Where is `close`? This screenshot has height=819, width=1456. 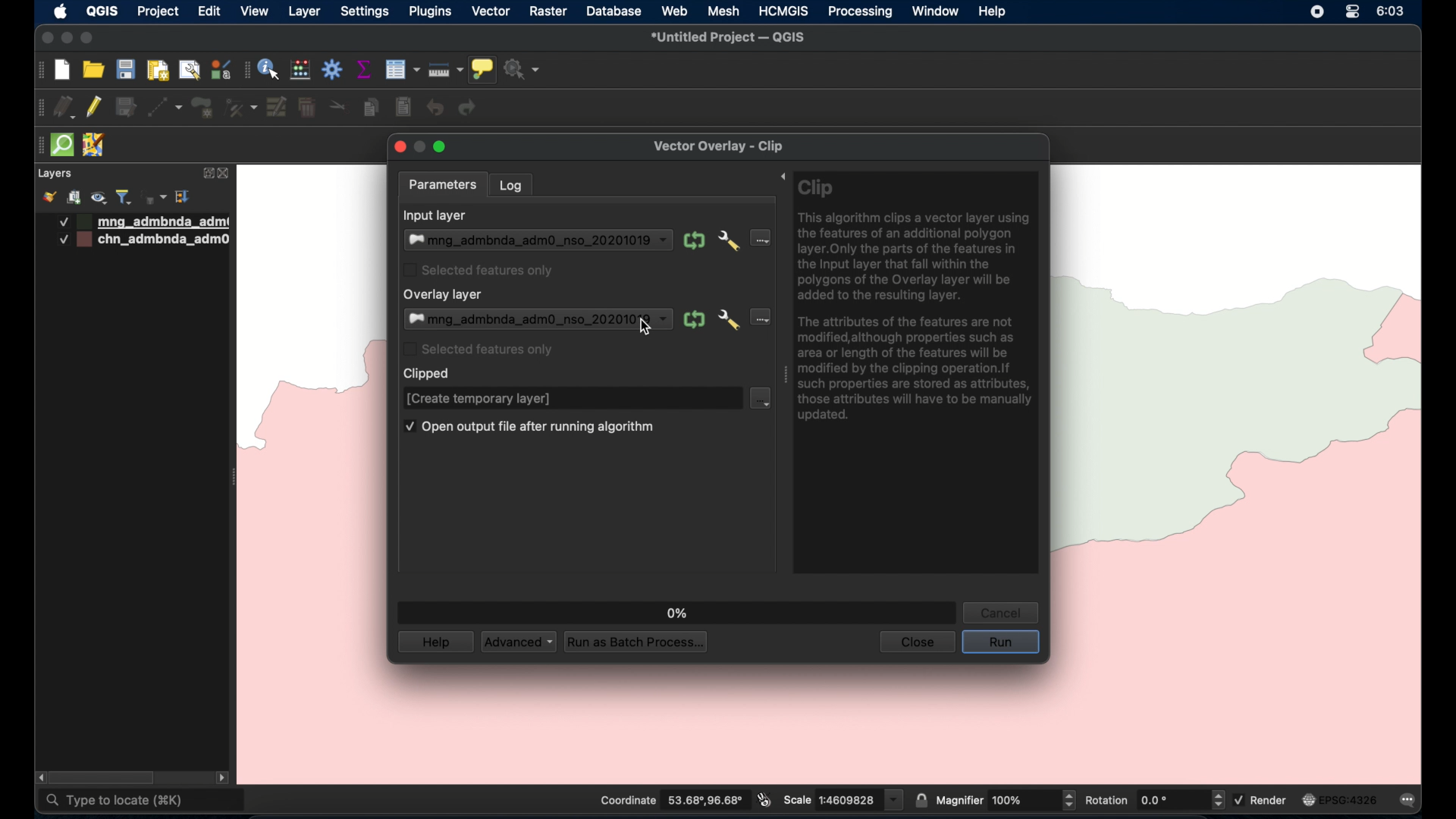 close is located at coordinates (227, 174).